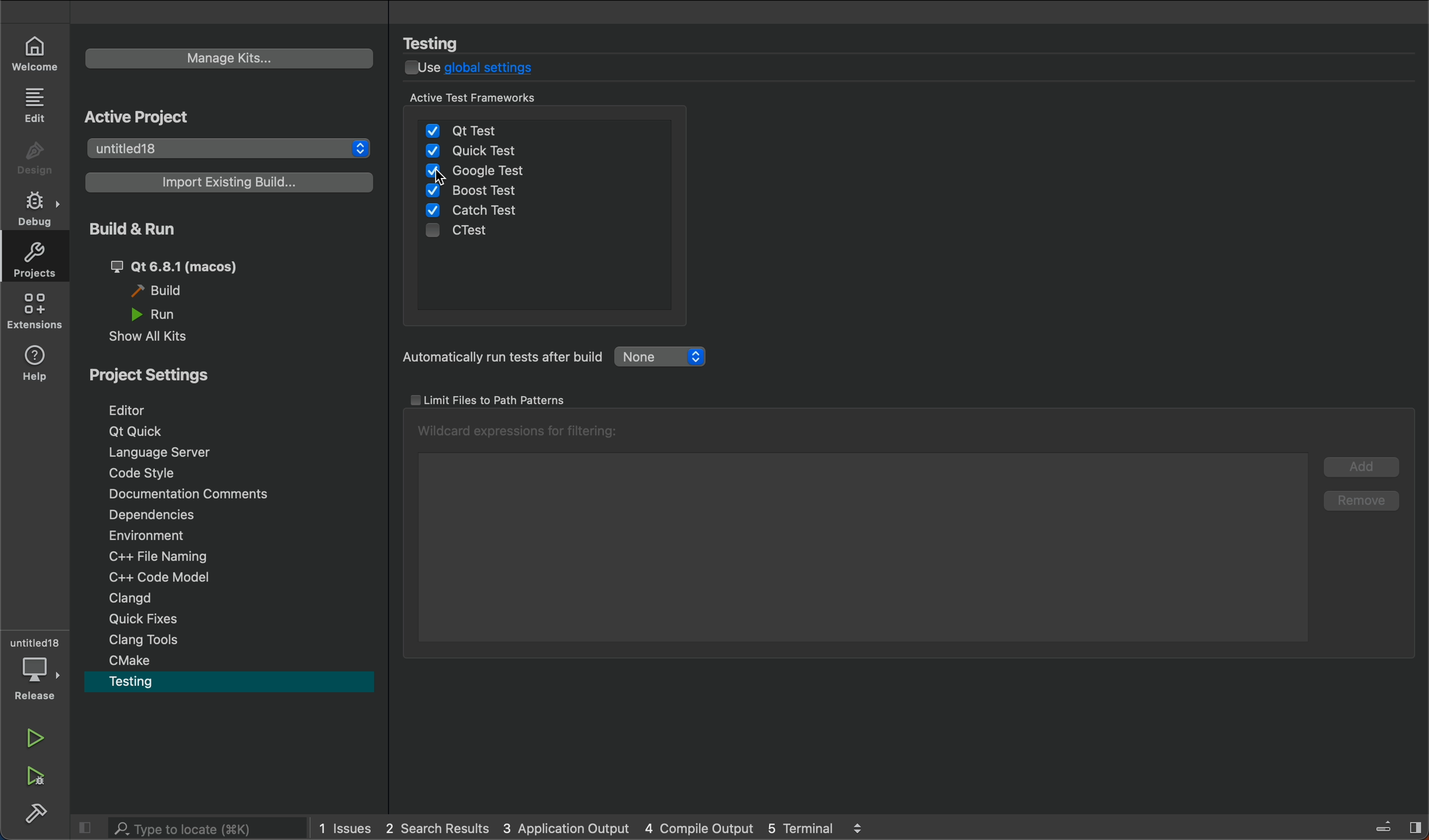 This screenshot has width=1429, height=840. Describe the element at coordinates (1358, 504) in the screenshot. I see `remove` at that location.